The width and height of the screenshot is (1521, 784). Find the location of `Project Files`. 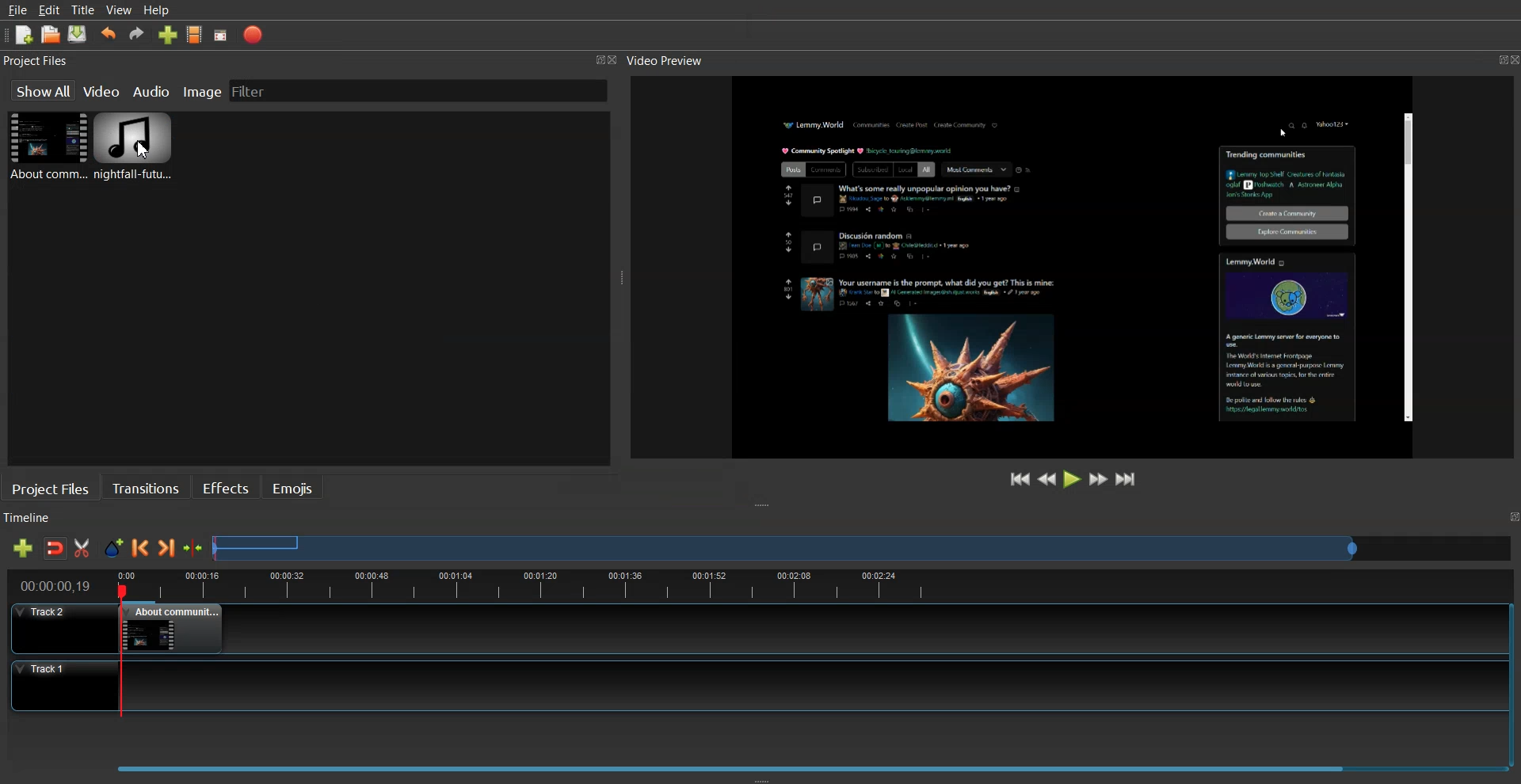

Project Files is located at coordinates (38, 61).